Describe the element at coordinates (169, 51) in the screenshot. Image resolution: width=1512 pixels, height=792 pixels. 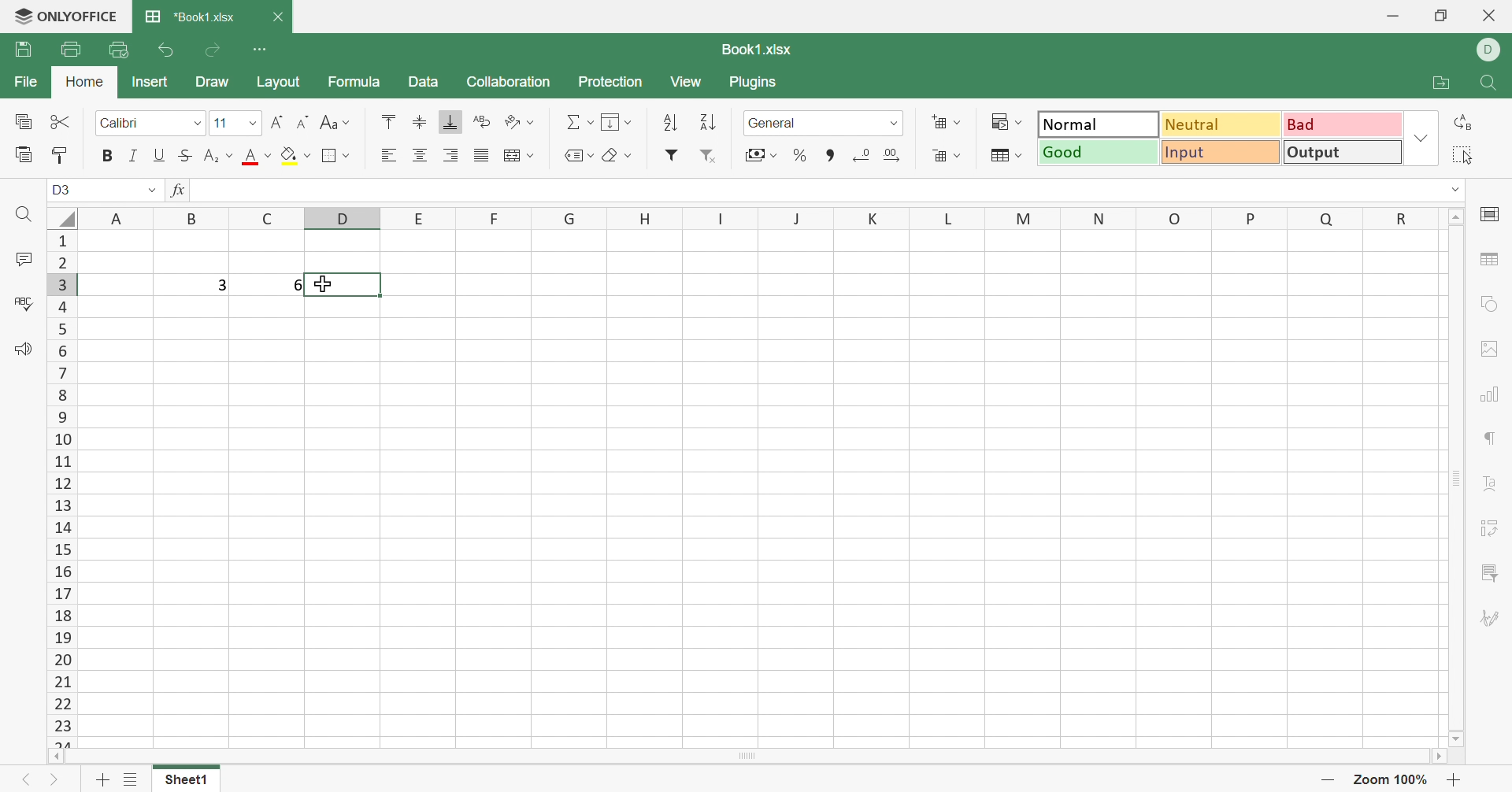
I see `Undo` at that location.